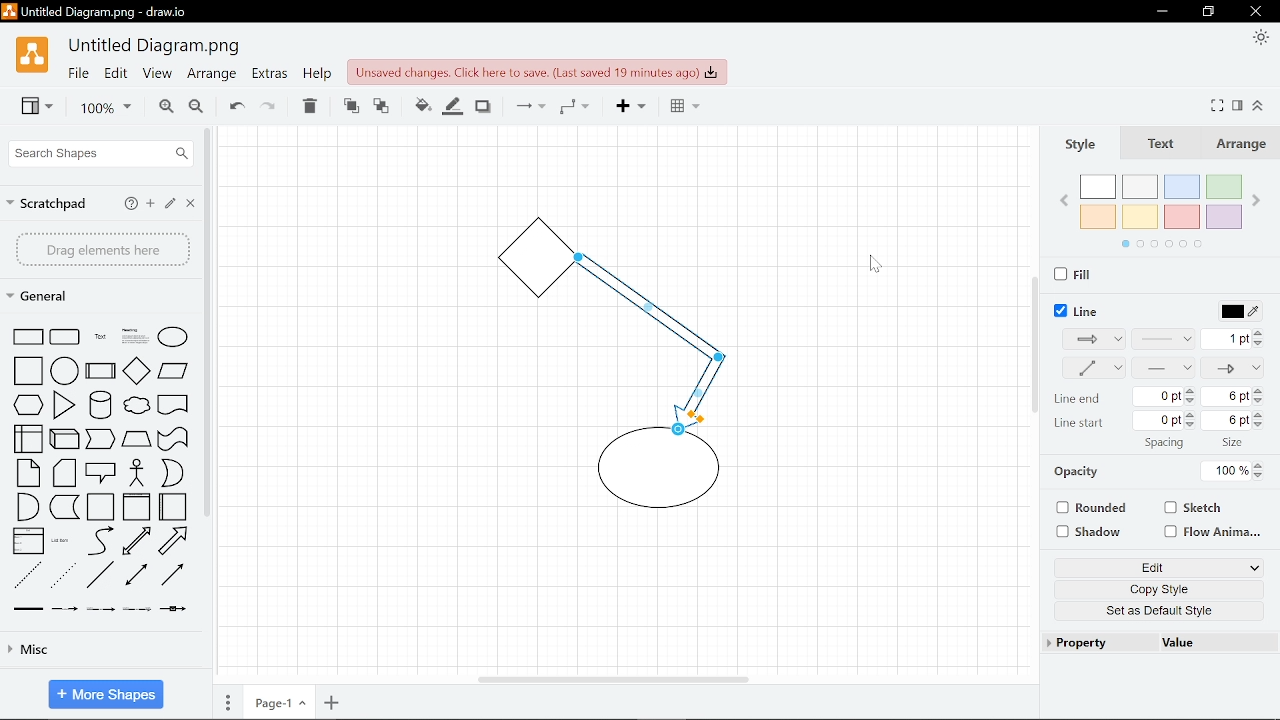 This screenshot has width=1280, height=720. I want to click on Undo, so click(234, 106).